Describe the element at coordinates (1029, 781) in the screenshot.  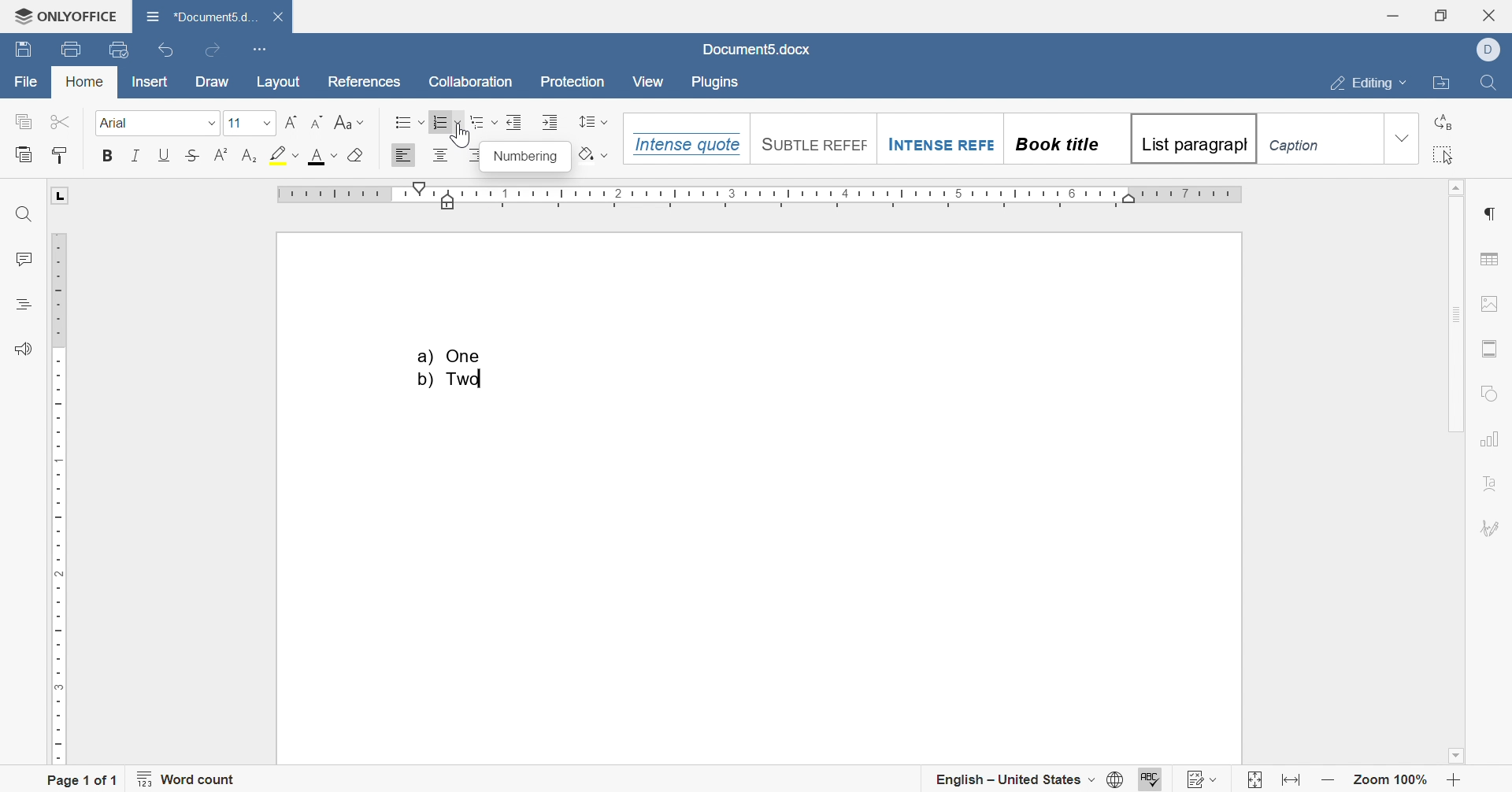
I see `set document language` at that location.